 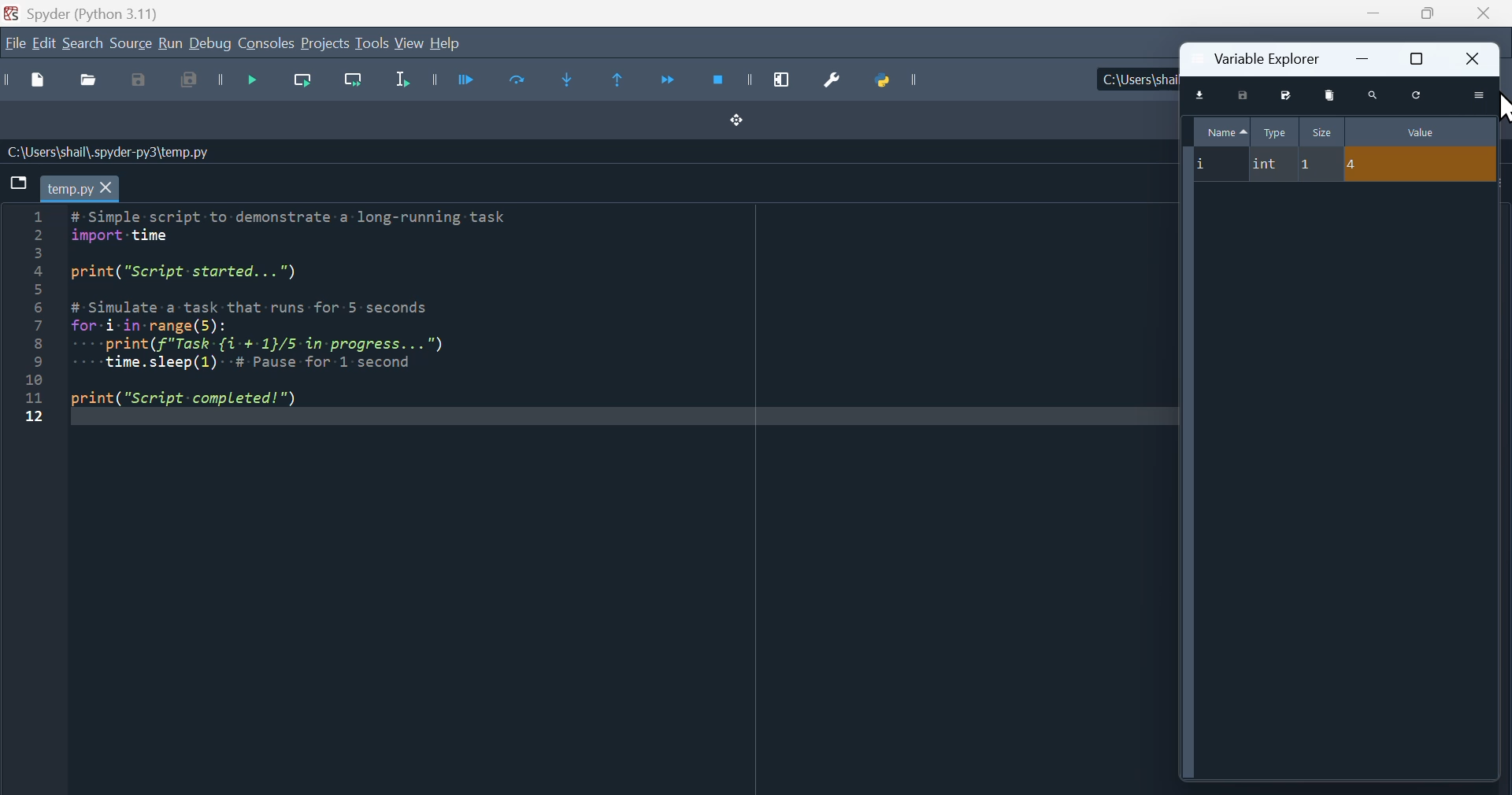 I want to click on Name, so click(x=1224, y=130).